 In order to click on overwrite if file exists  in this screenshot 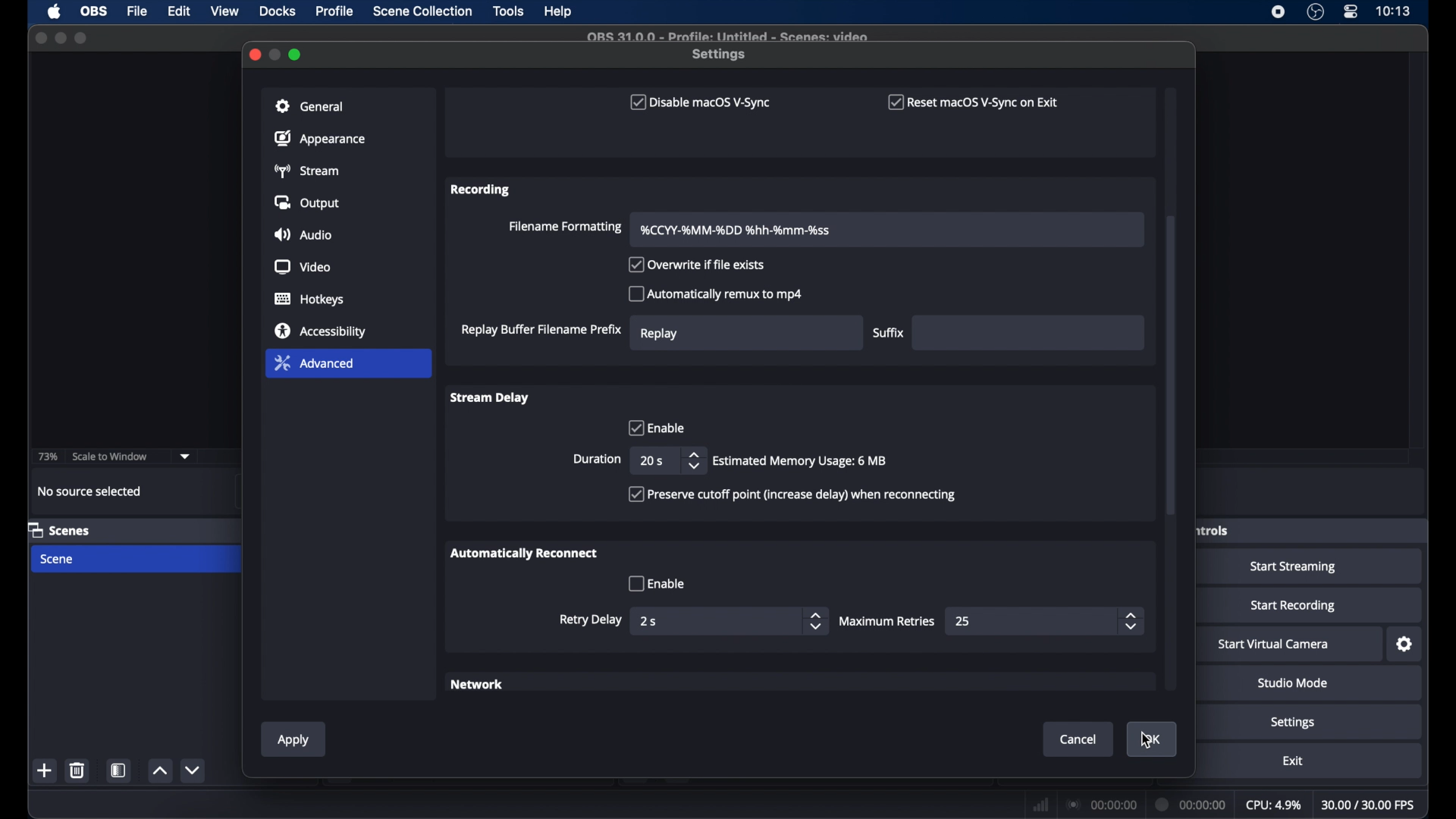, I will do `click(698, 265)`.